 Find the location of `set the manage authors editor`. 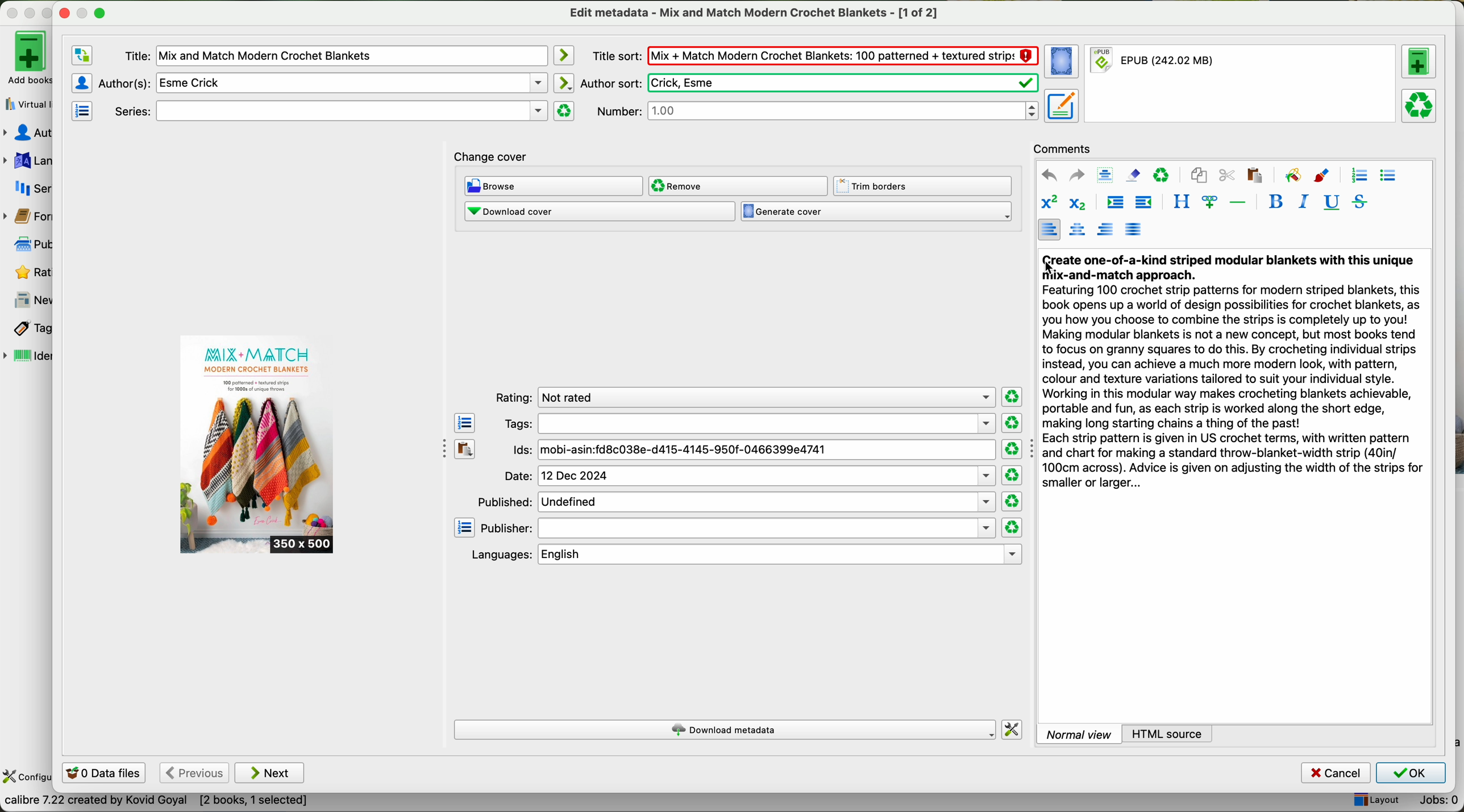

set the manage authors editor is located at coordinates (81, 83).